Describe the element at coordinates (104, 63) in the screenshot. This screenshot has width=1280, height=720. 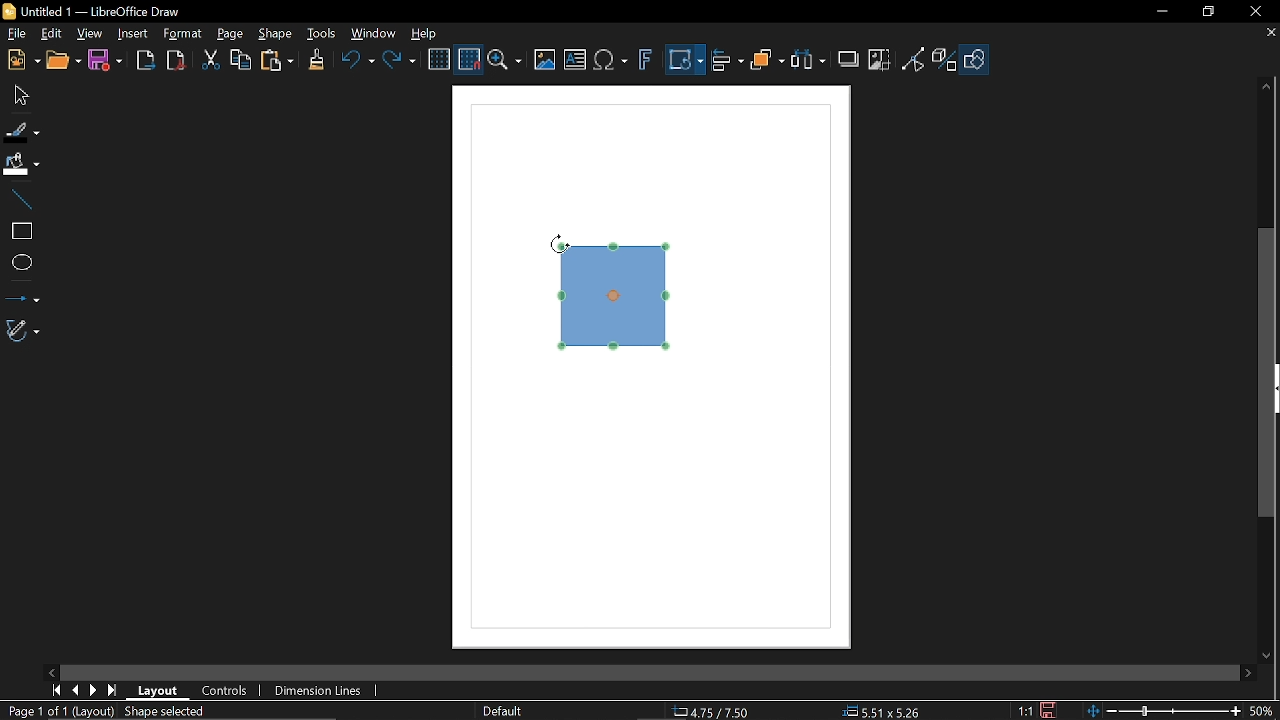
I see `Save` at that location.